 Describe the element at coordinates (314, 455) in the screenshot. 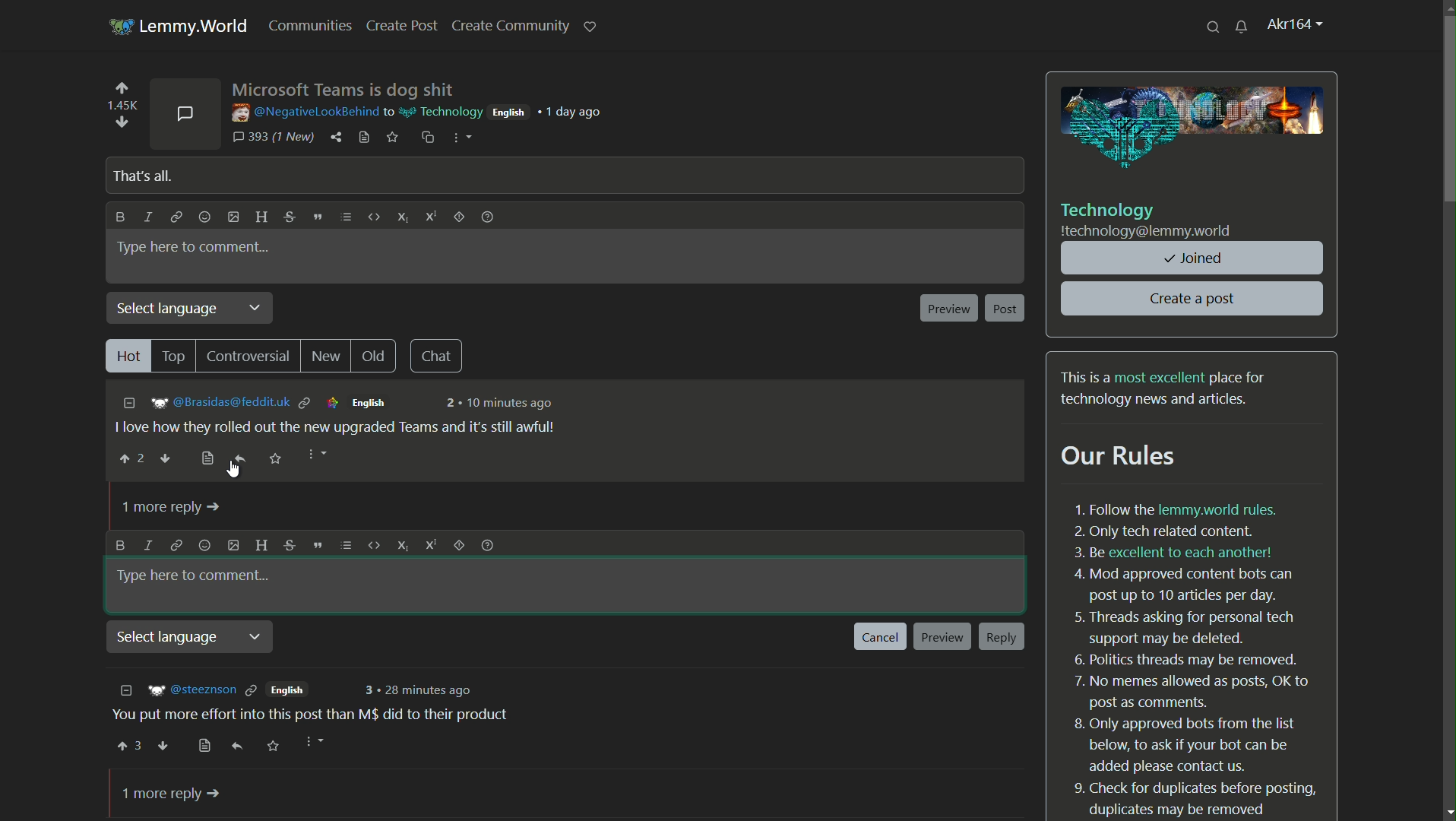

I see `more options` at that location.